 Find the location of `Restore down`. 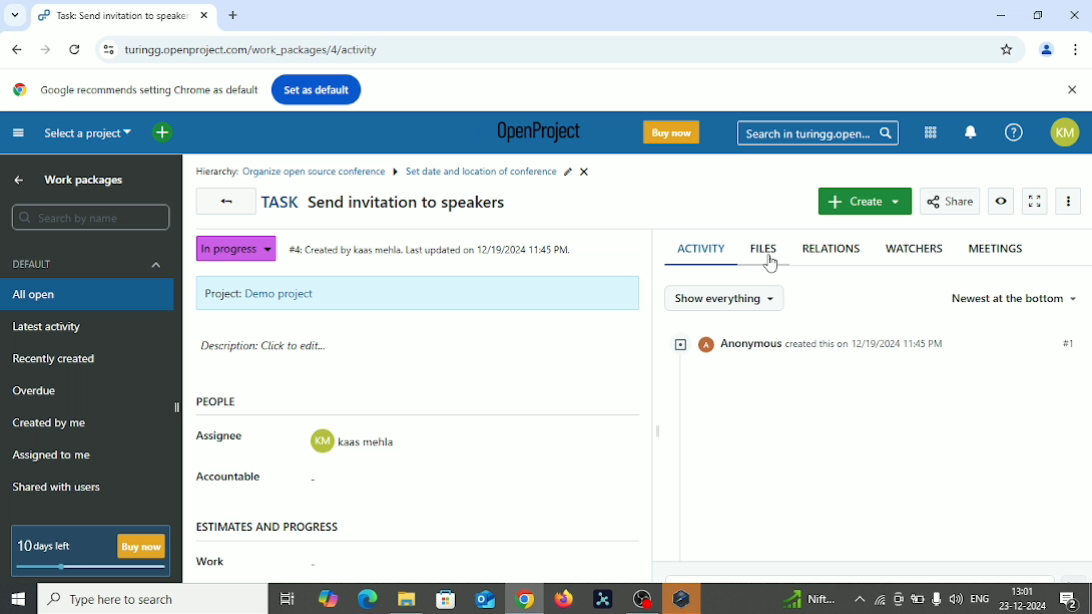

Restore down is located at coordinates (1040, 14).